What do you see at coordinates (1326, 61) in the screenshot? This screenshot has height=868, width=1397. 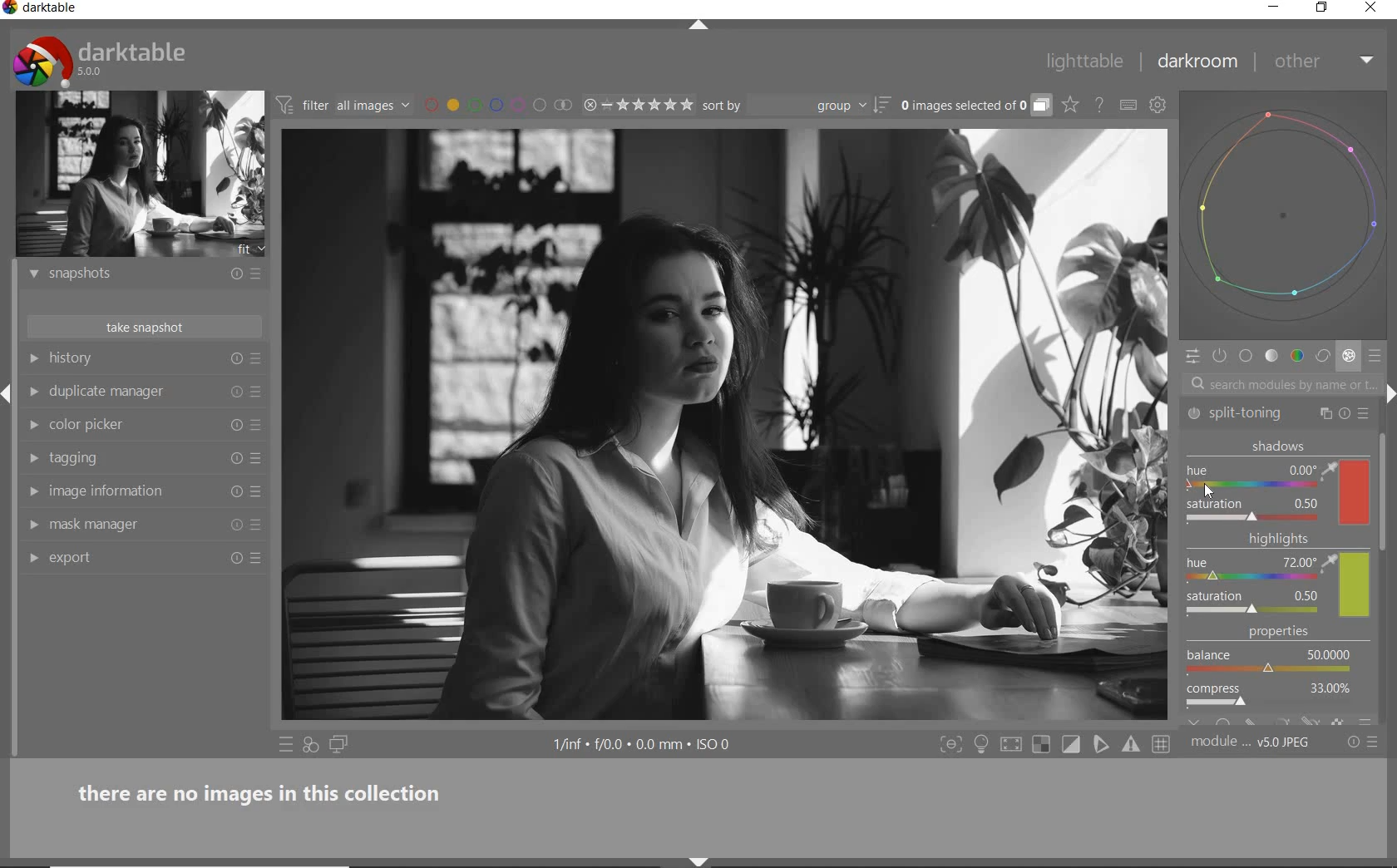 I see `other` at bounding box center [1326, 61].